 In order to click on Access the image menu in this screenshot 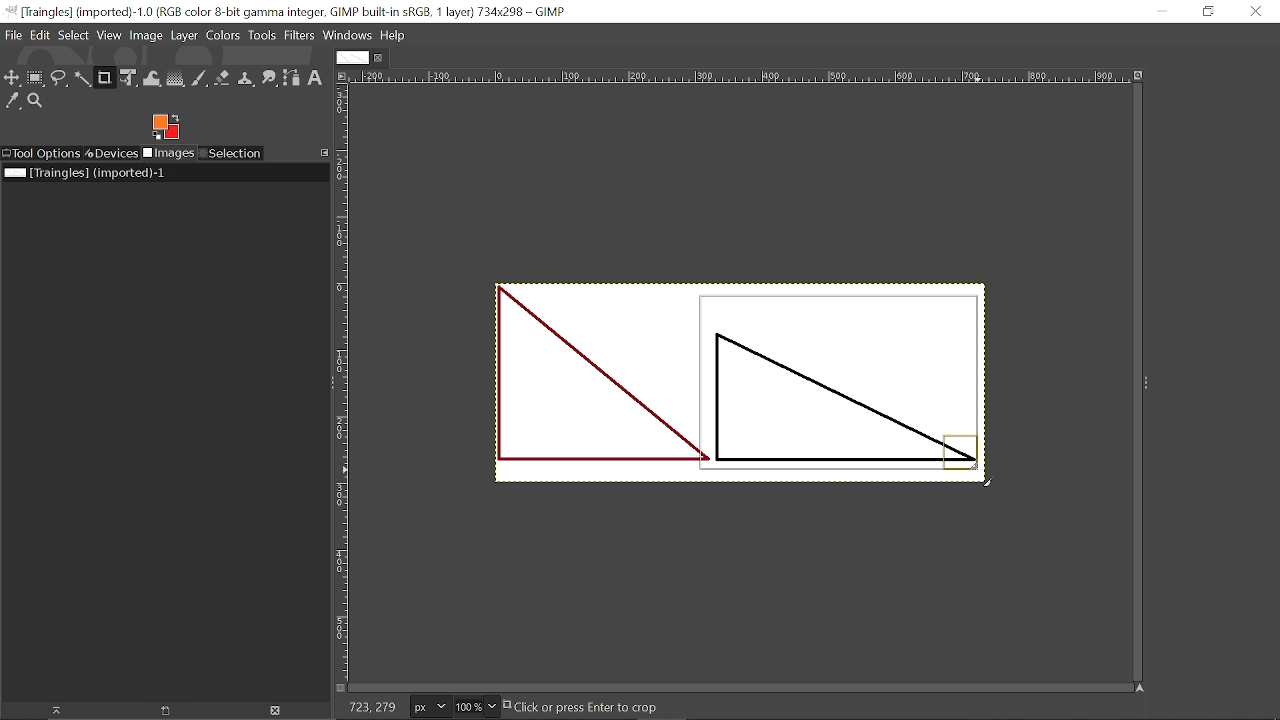, I will do `click(343, 77)`.